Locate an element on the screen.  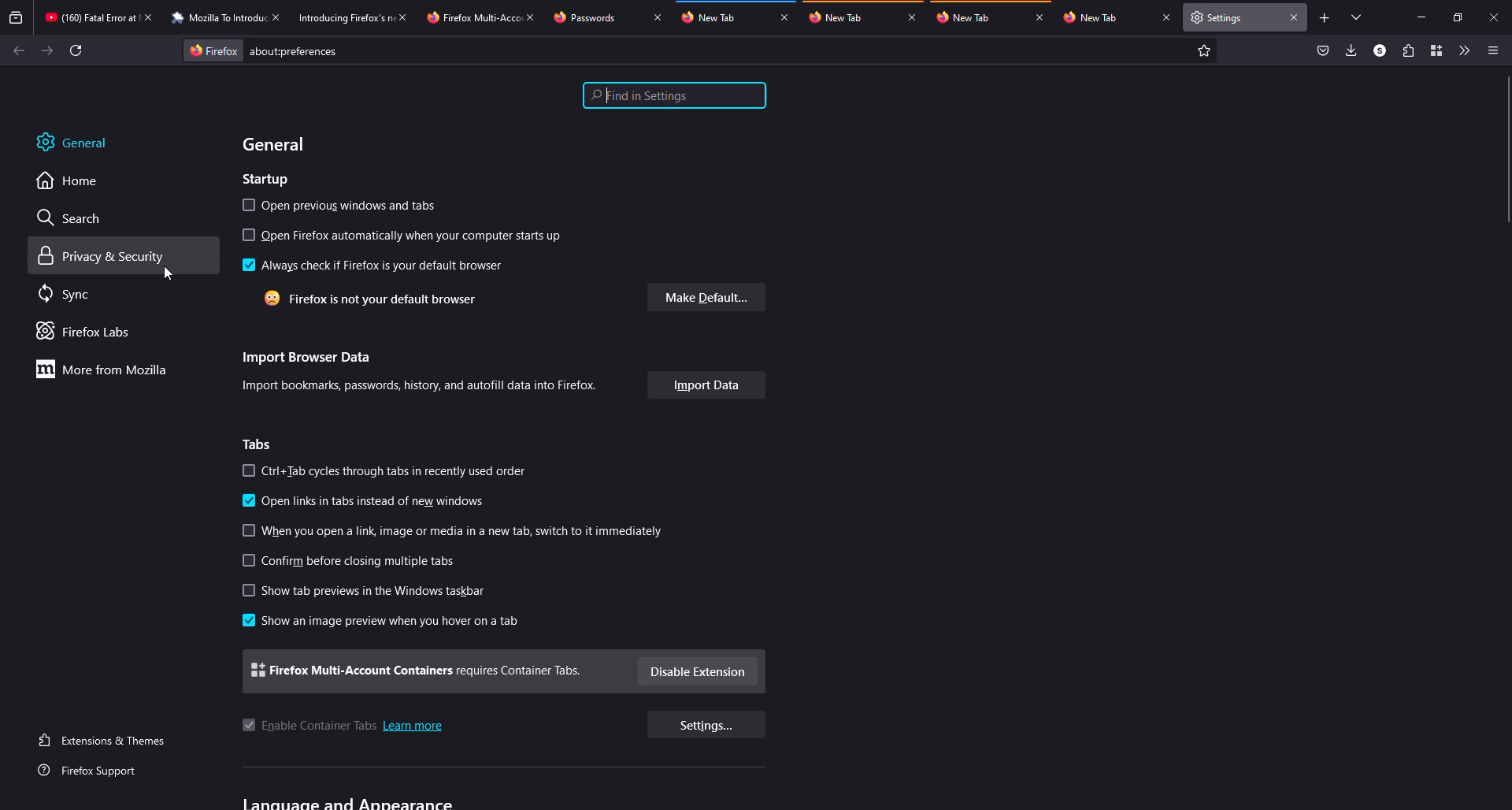
forward is located at coordinates (46, 50).